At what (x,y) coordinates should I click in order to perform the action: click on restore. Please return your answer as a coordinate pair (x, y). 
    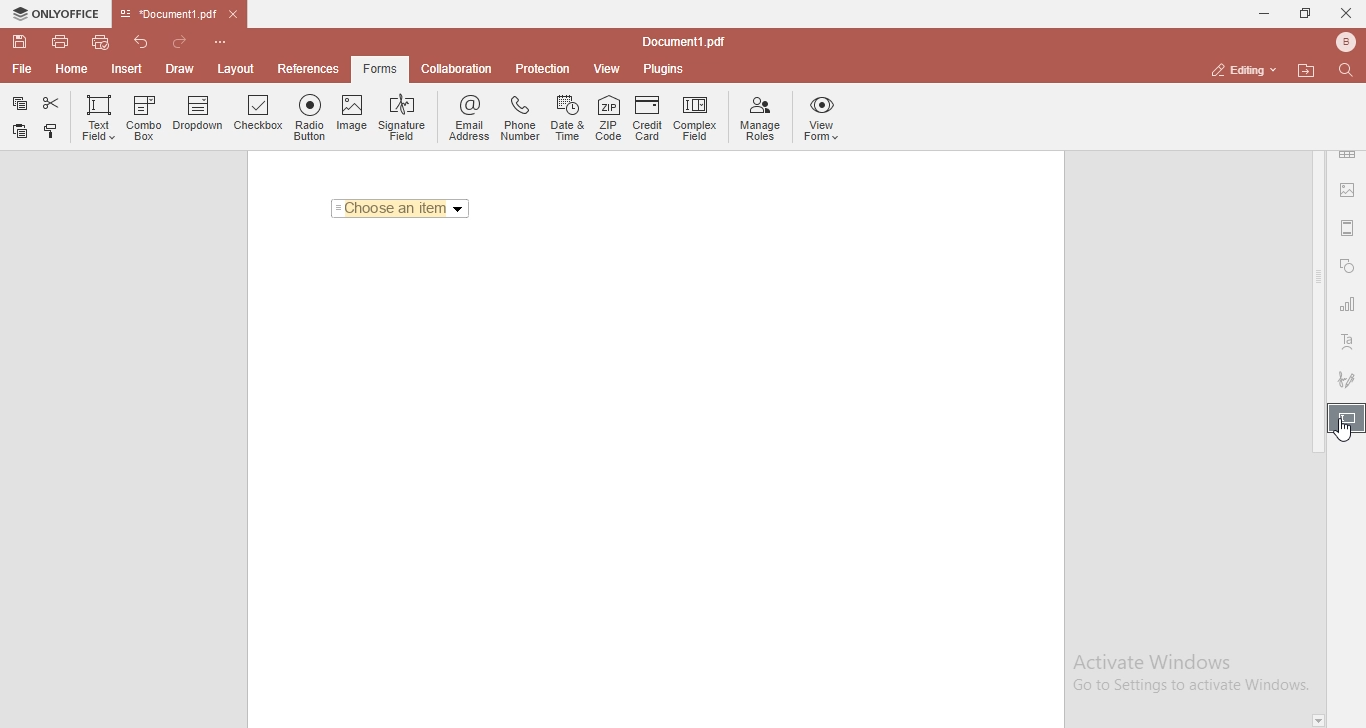
    Looking at the image, I should click on (1304, 14).